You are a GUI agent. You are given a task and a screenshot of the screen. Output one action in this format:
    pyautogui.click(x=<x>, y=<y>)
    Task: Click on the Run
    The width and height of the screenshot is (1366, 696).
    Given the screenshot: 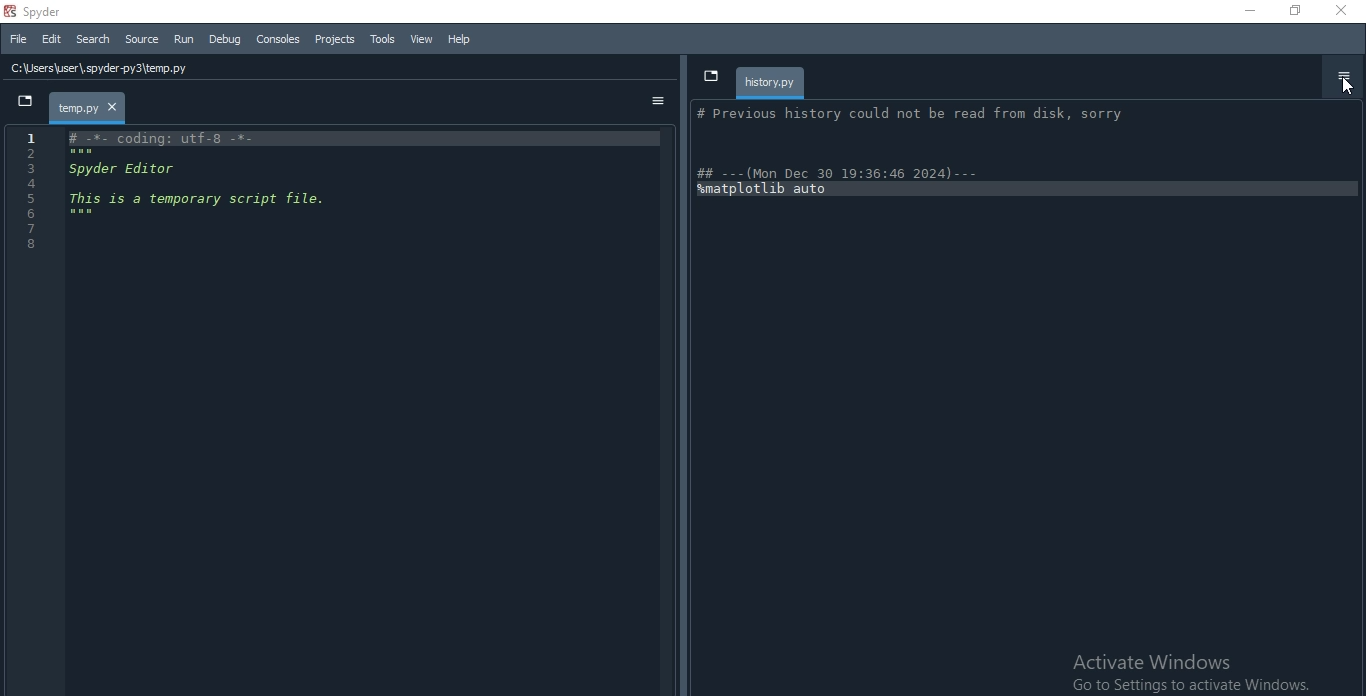 What is the action you would take?
    pyautogui.click(x=184, y=38)
    